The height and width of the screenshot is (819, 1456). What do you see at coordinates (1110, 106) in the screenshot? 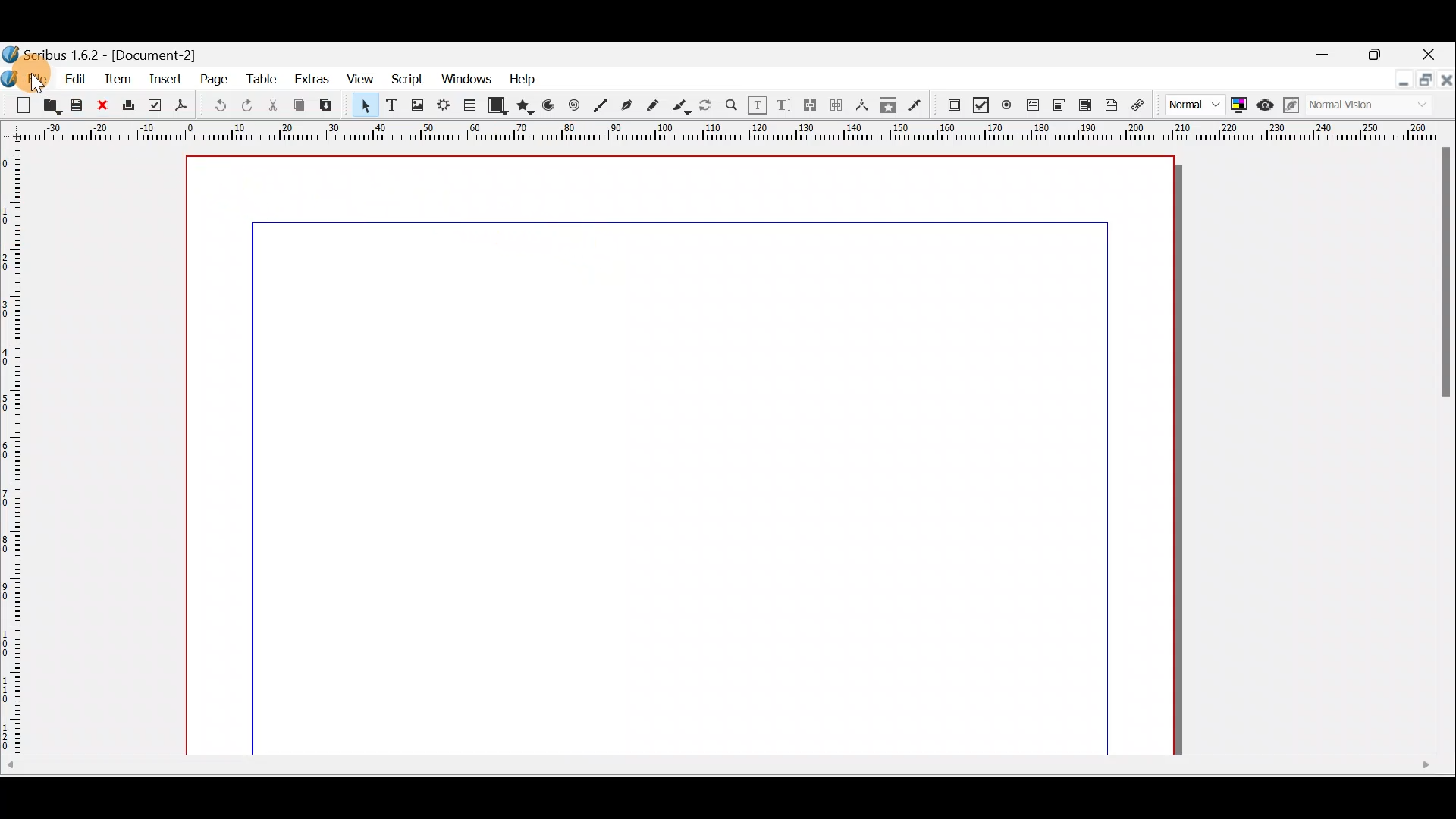
I see `Text annotation` at bounding box center [1110, 106].